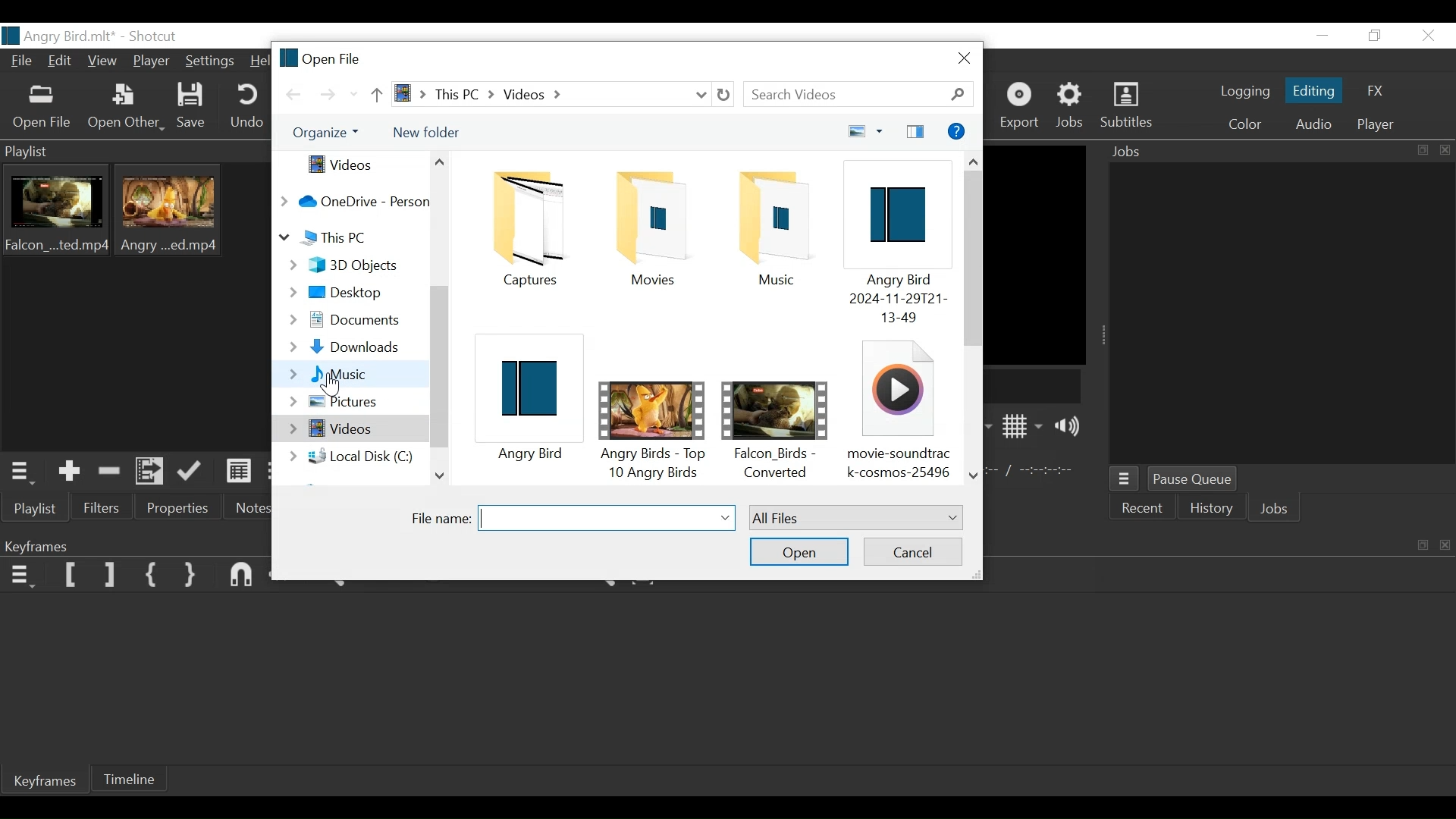  What do you see at coordinates (102, 508) in the screenshot?
I see `Filter` at bounding box center [102, 508].